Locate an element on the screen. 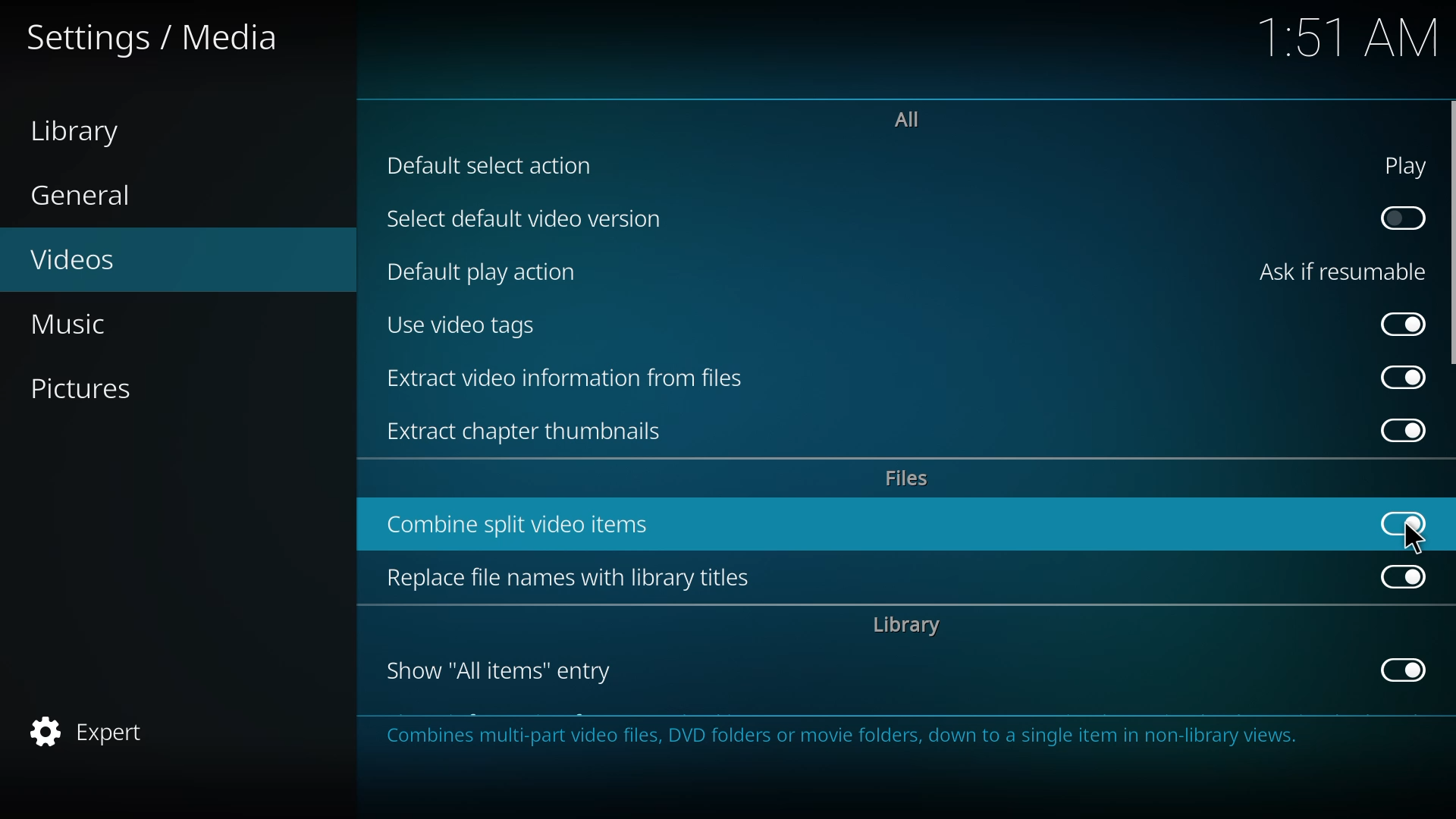 The image size is (1456, 819). replace file names with library titles is located at coordinates (570, 577).